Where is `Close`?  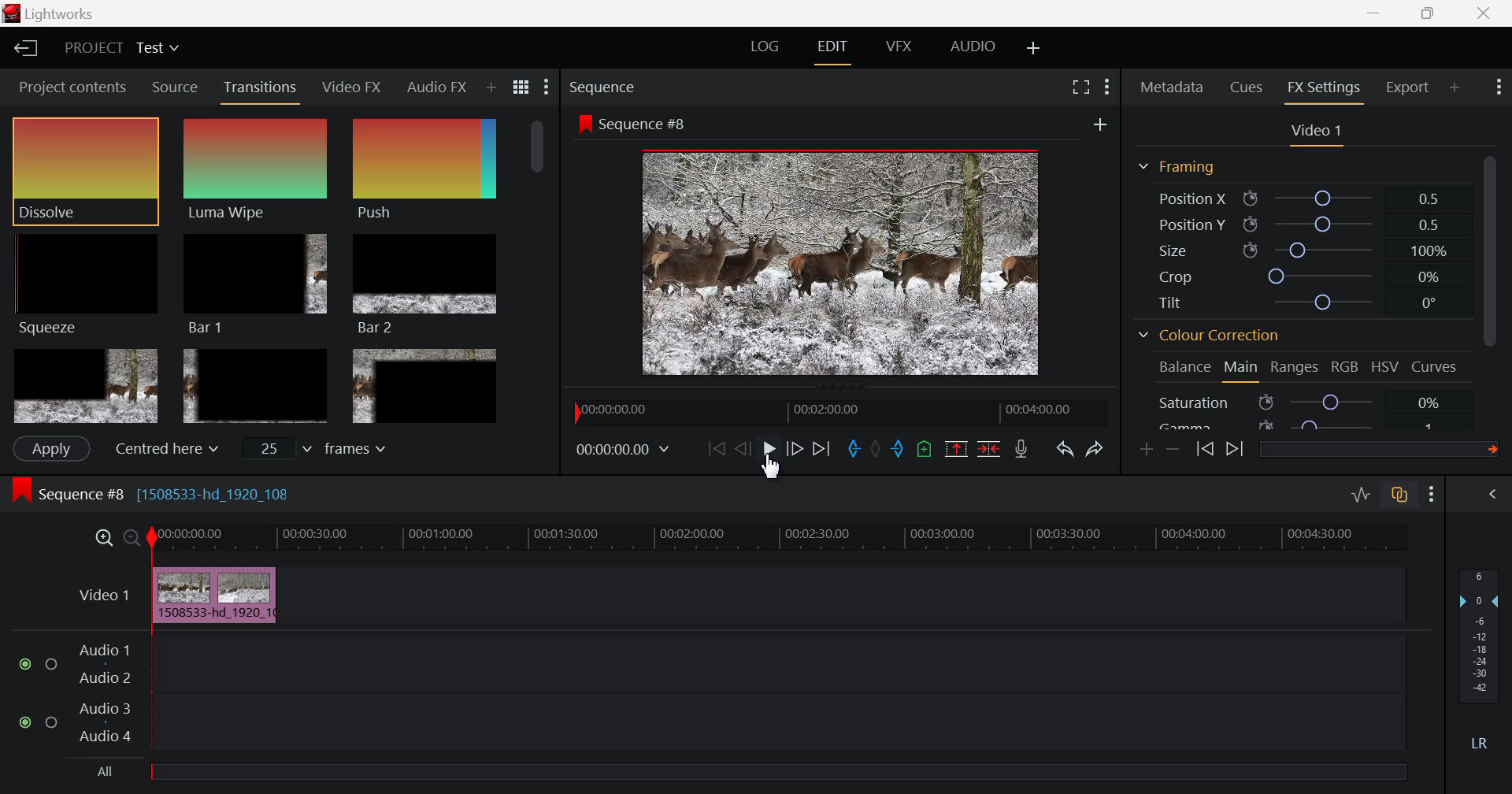 Close is located at coordinates (1480, 13).